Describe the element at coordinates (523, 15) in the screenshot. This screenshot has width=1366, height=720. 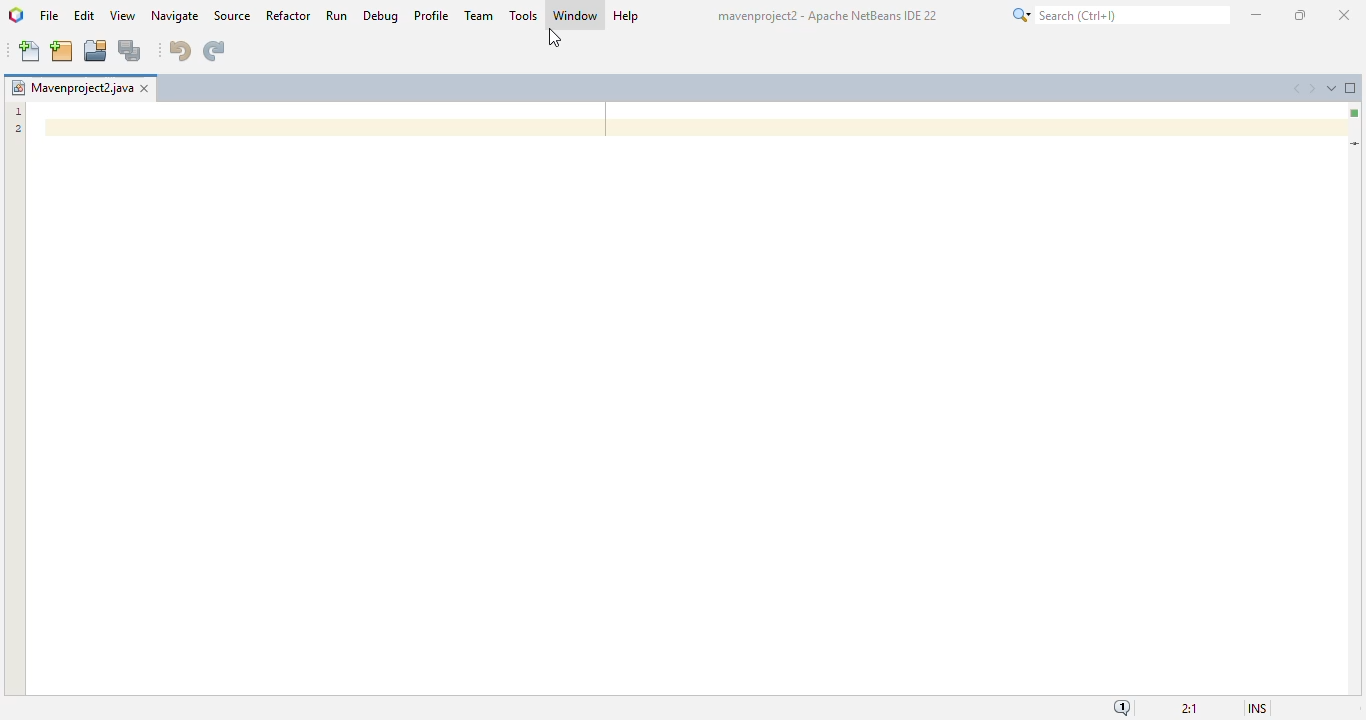
I see `tools` at that location.